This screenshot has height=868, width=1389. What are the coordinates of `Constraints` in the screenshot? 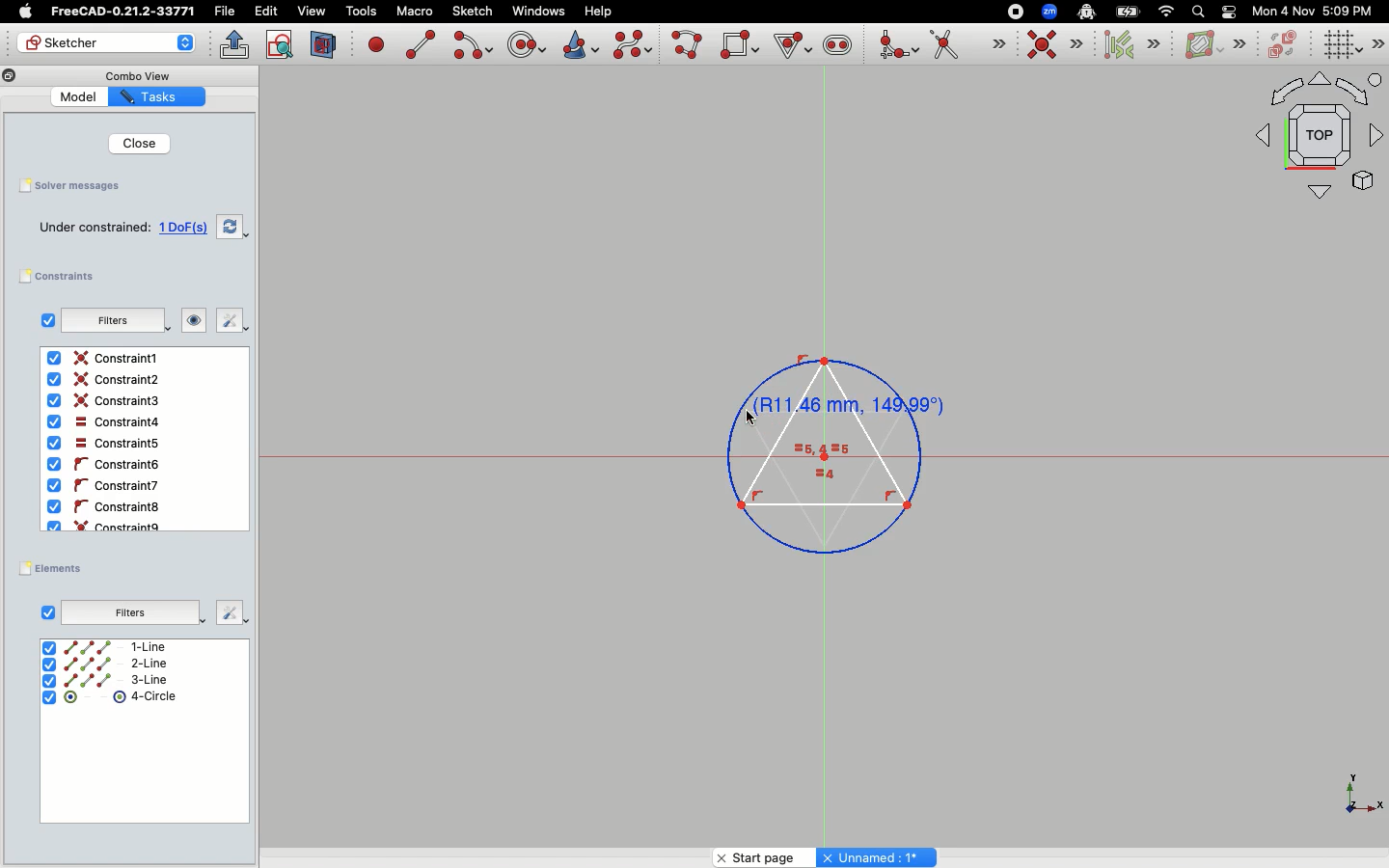 It's located at (65, 277).